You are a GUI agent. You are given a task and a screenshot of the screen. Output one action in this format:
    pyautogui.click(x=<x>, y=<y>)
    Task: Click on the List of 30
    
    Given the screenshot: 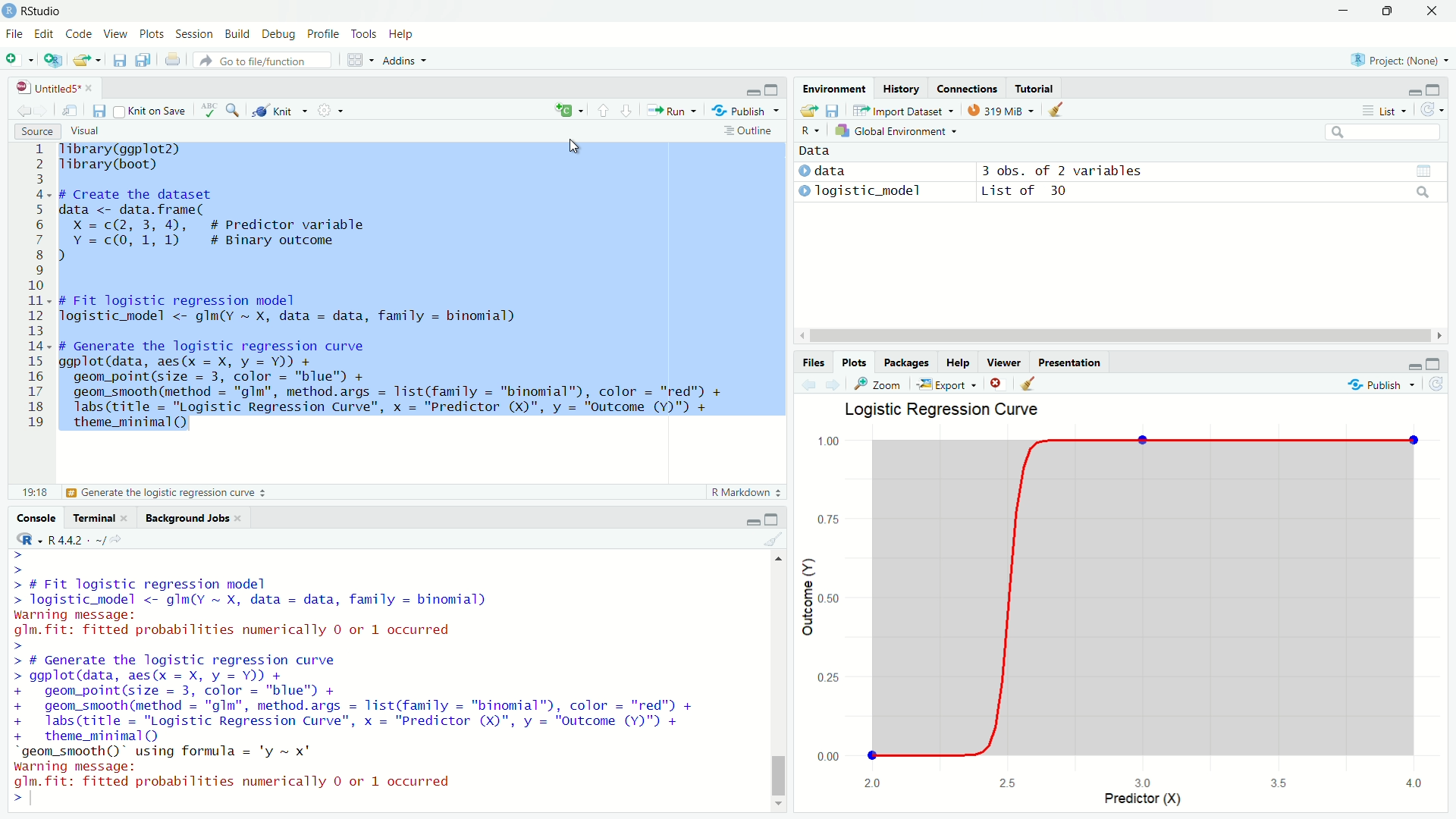 What is the action you would take?
    pyautogui.click(x=1022, y=191)
    